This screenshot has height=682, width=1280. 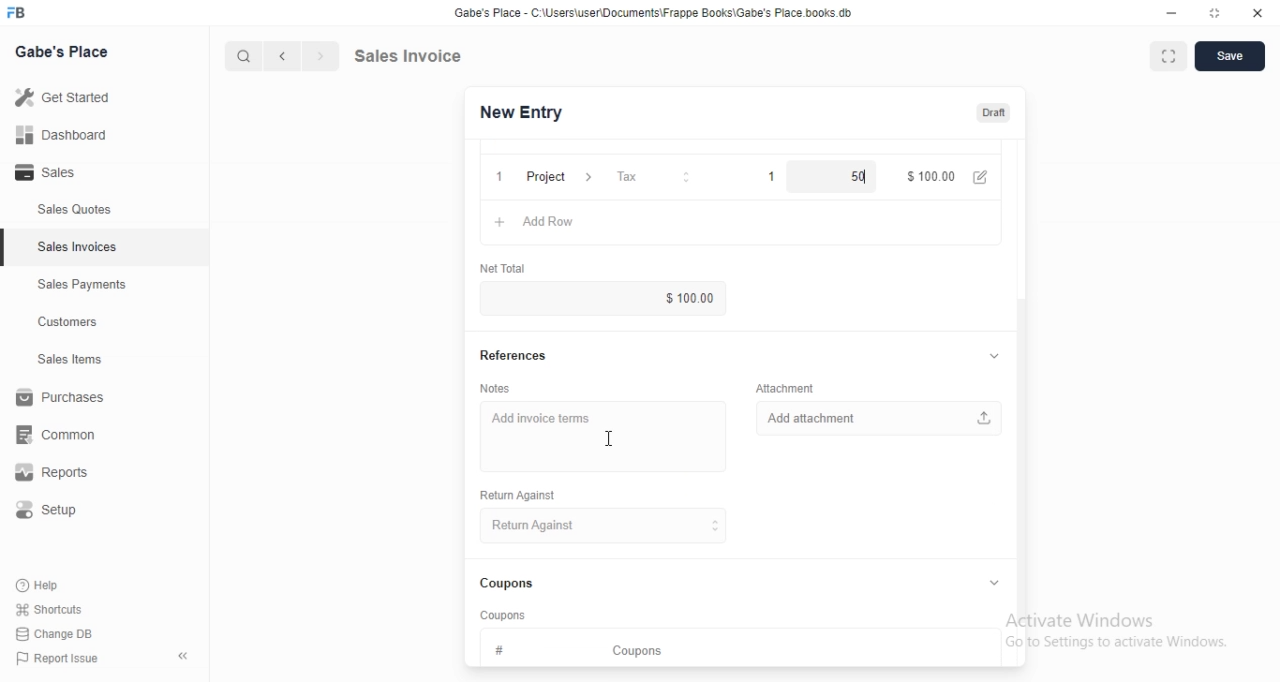 What do you see at coordinates (57, 513) in the screenshot?
I see `Setup` at bounding box center [57, 513].